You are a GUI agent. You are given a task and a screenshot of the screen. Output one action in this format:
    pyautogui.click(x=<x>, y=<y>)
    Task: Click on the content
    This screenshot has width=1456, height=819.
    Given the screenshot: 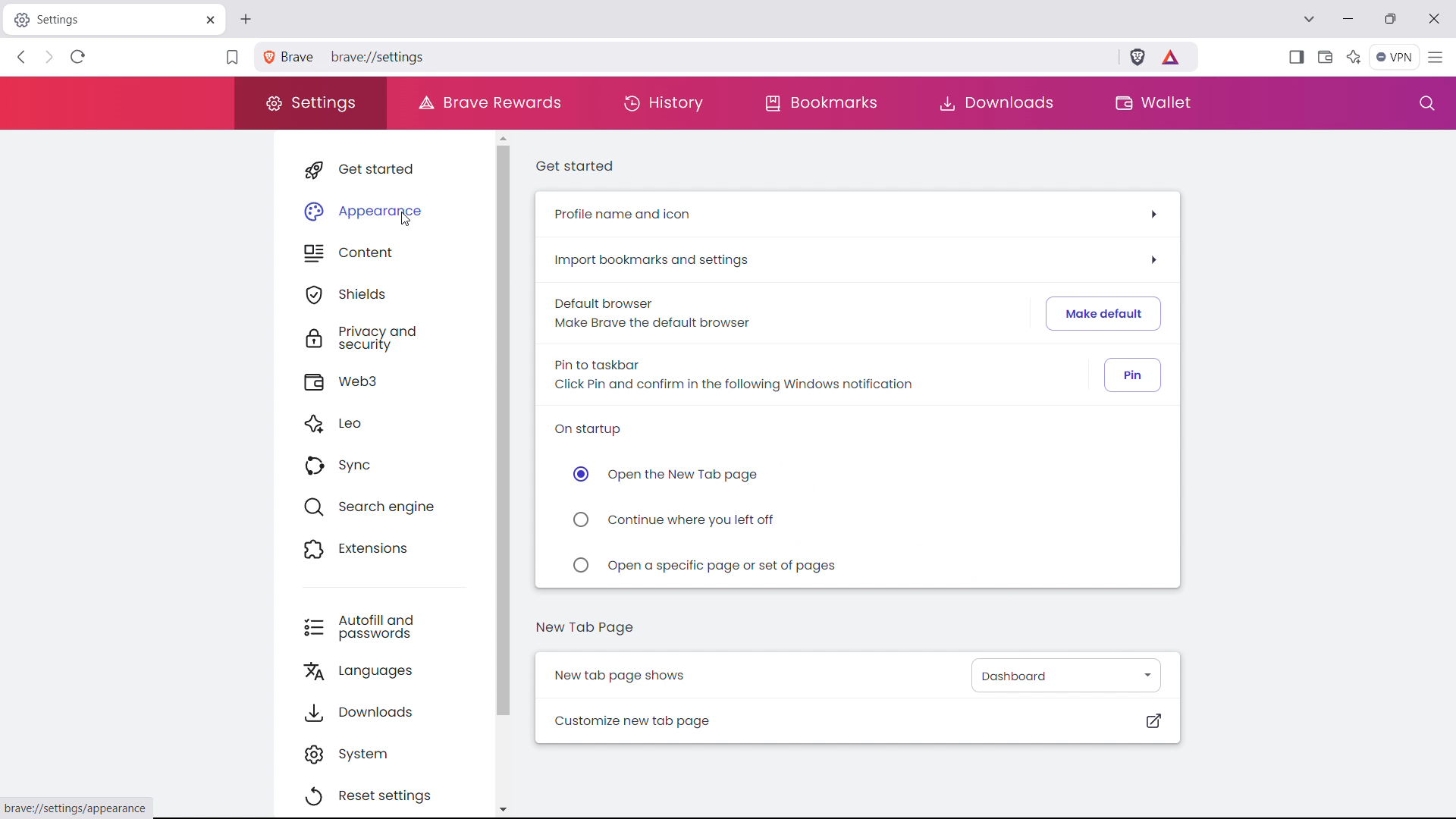 What is the action you would take?
    pyautogui.click(x=387, y=250)
    